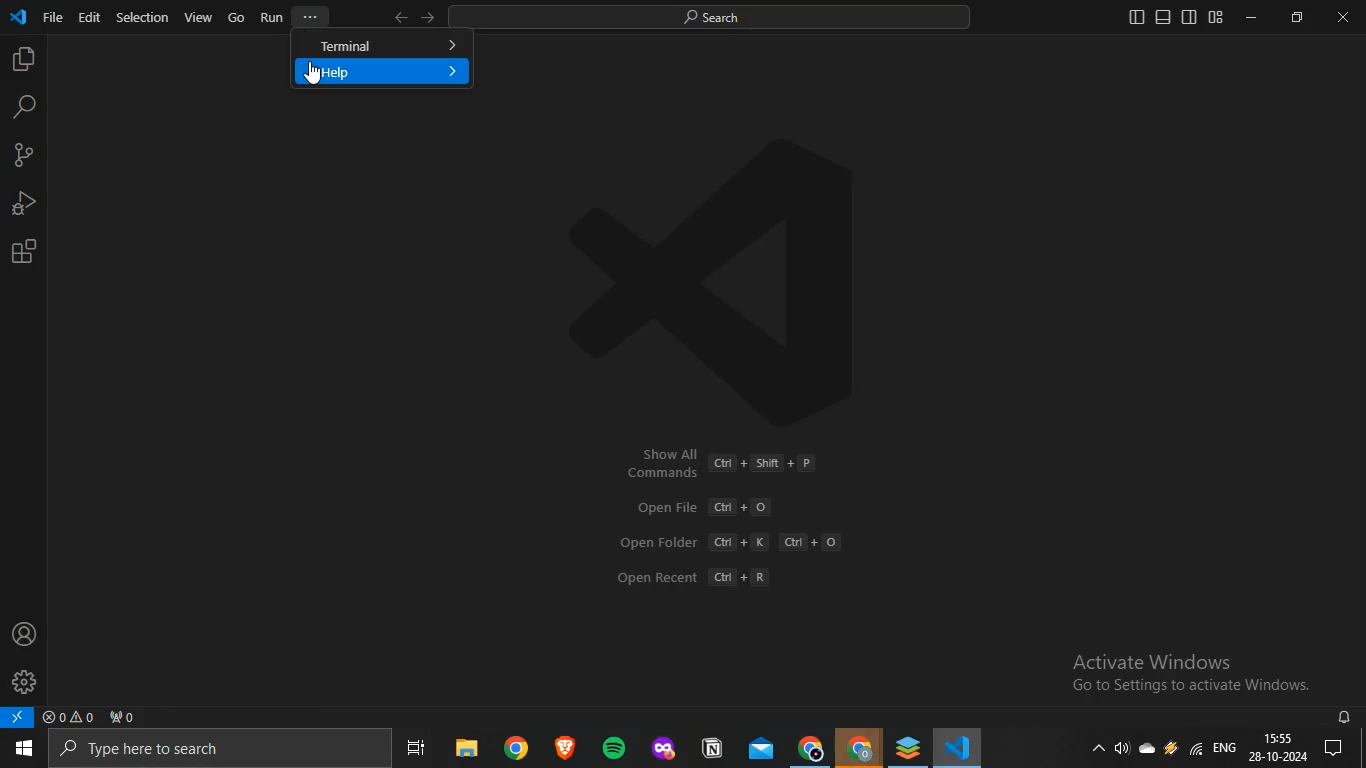  What do you see at coordinates (562, 748) in the screenshot?
I see `brave` at bounding box center [562, 748].